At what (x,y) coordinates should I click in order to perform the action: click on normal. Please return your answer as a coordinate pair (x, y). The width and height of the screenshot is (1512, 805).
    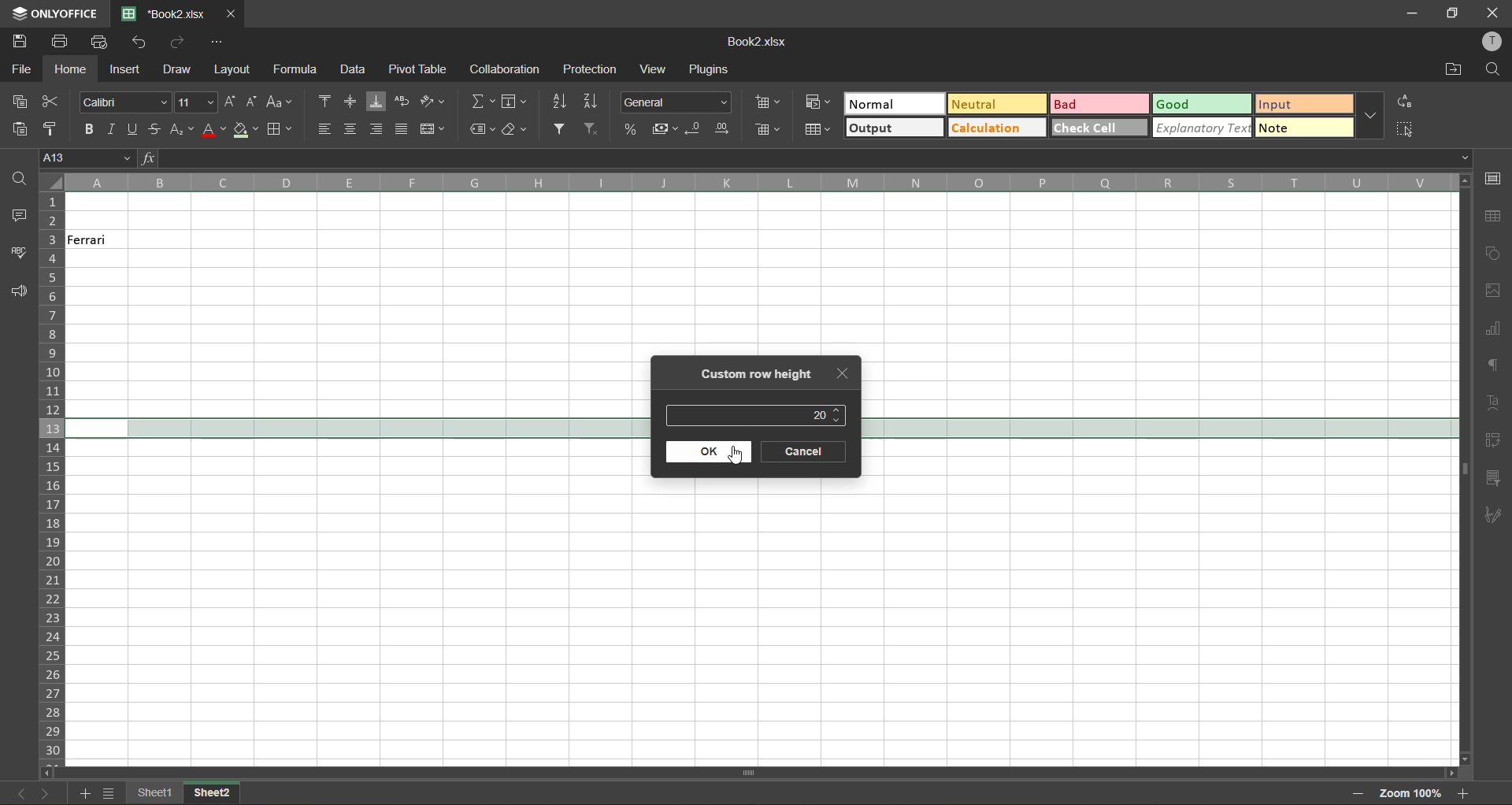
    Looking at the image, I should click on (895, 105).